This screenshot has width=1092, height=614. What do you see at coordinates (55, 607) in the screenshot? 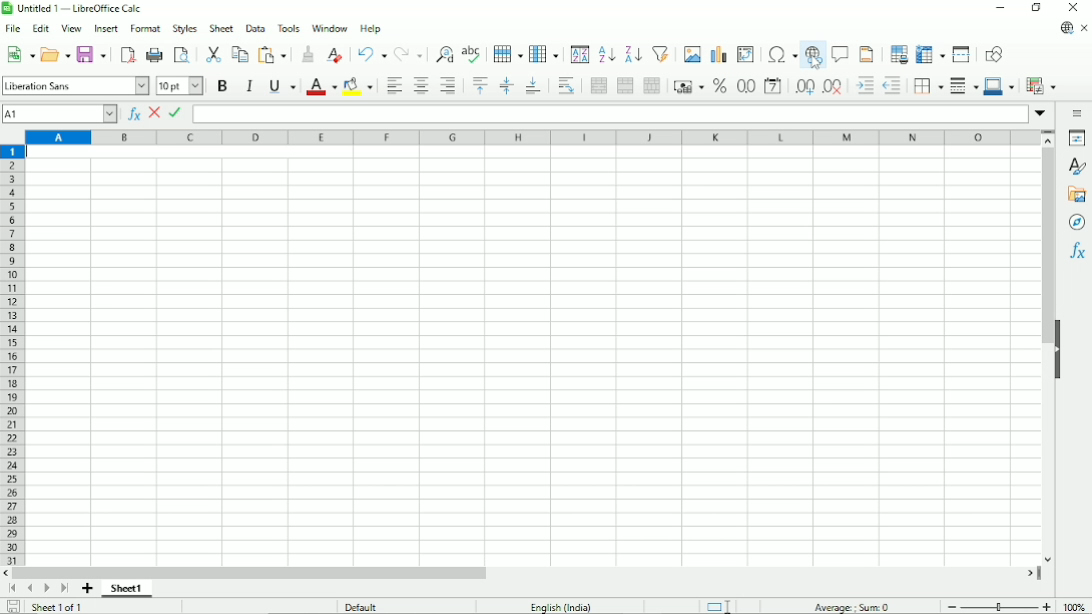
I see `Sheet 1 of 1` at bounding box center [55, 607].